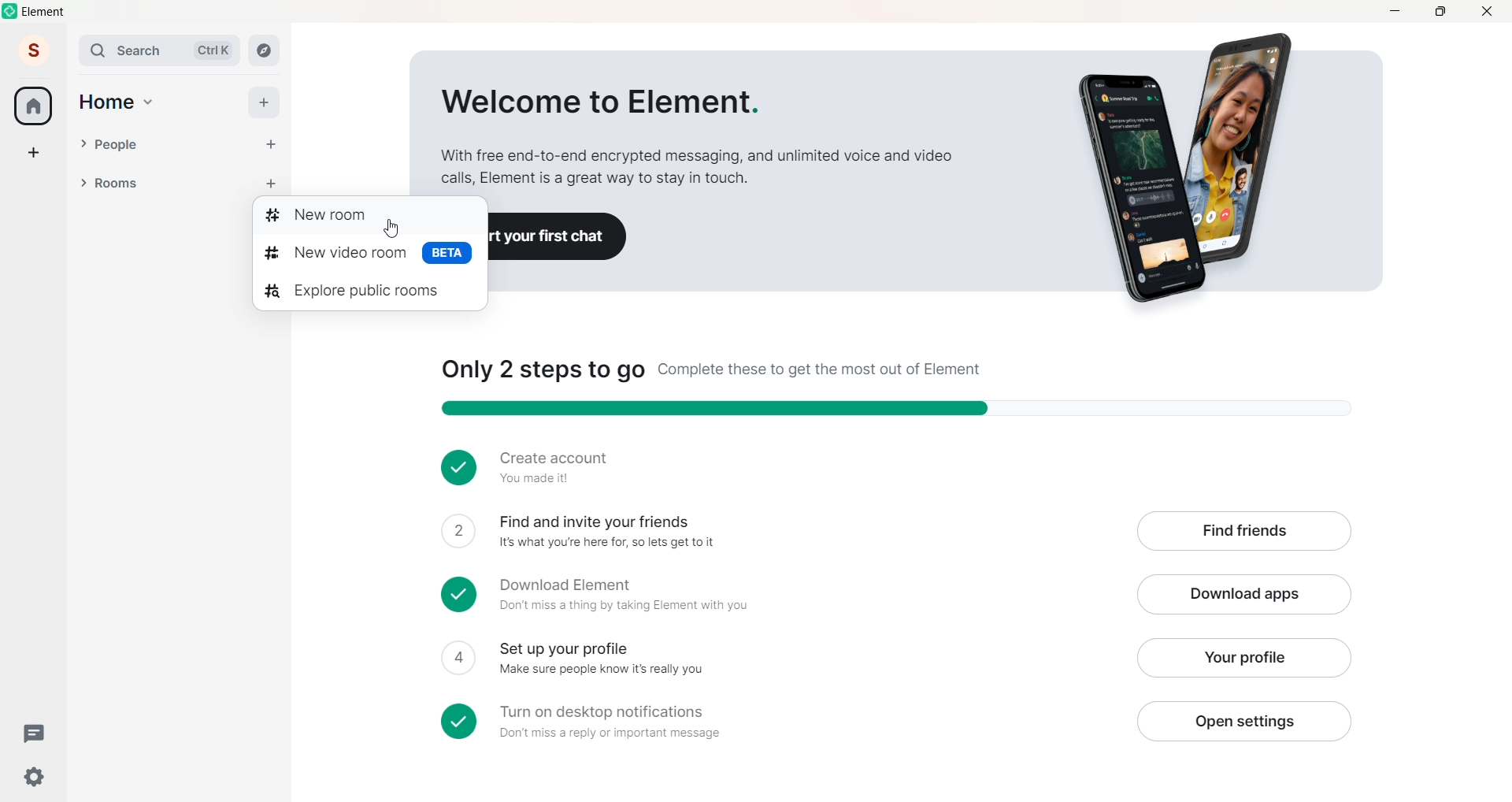 This screenshot has height=802, width=1512. What do you see at coordinates (1242, 658) in the screenshot?
I see `Your Profile` at bounding box center [1242, 658].